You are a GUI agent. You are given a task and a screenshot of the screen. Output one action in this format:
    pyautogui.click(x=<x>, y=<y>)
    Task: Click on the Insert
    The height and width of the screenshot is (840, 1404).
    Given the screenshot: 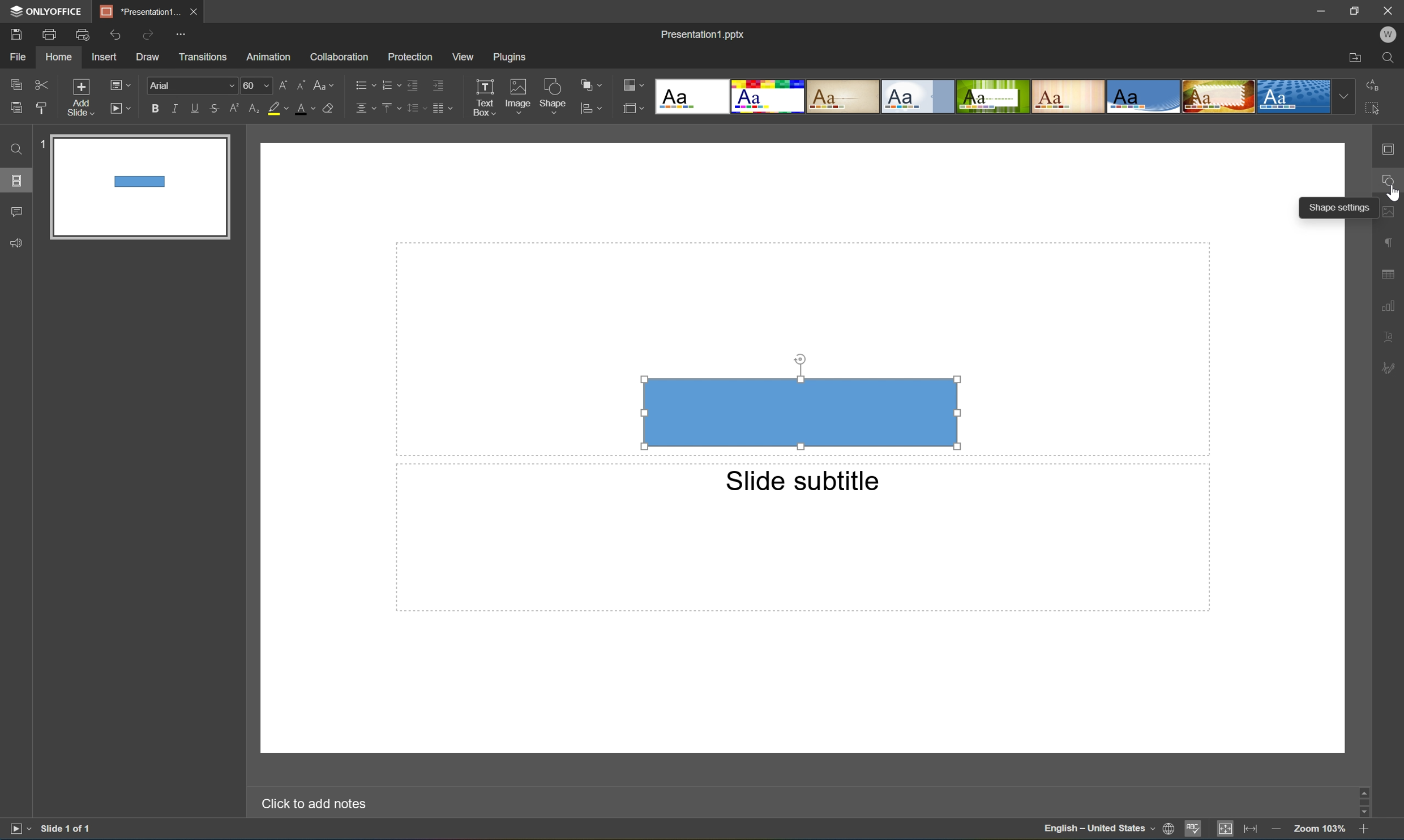 What is the action you would take?
    pyautogui.click(x=106, y=58)
    